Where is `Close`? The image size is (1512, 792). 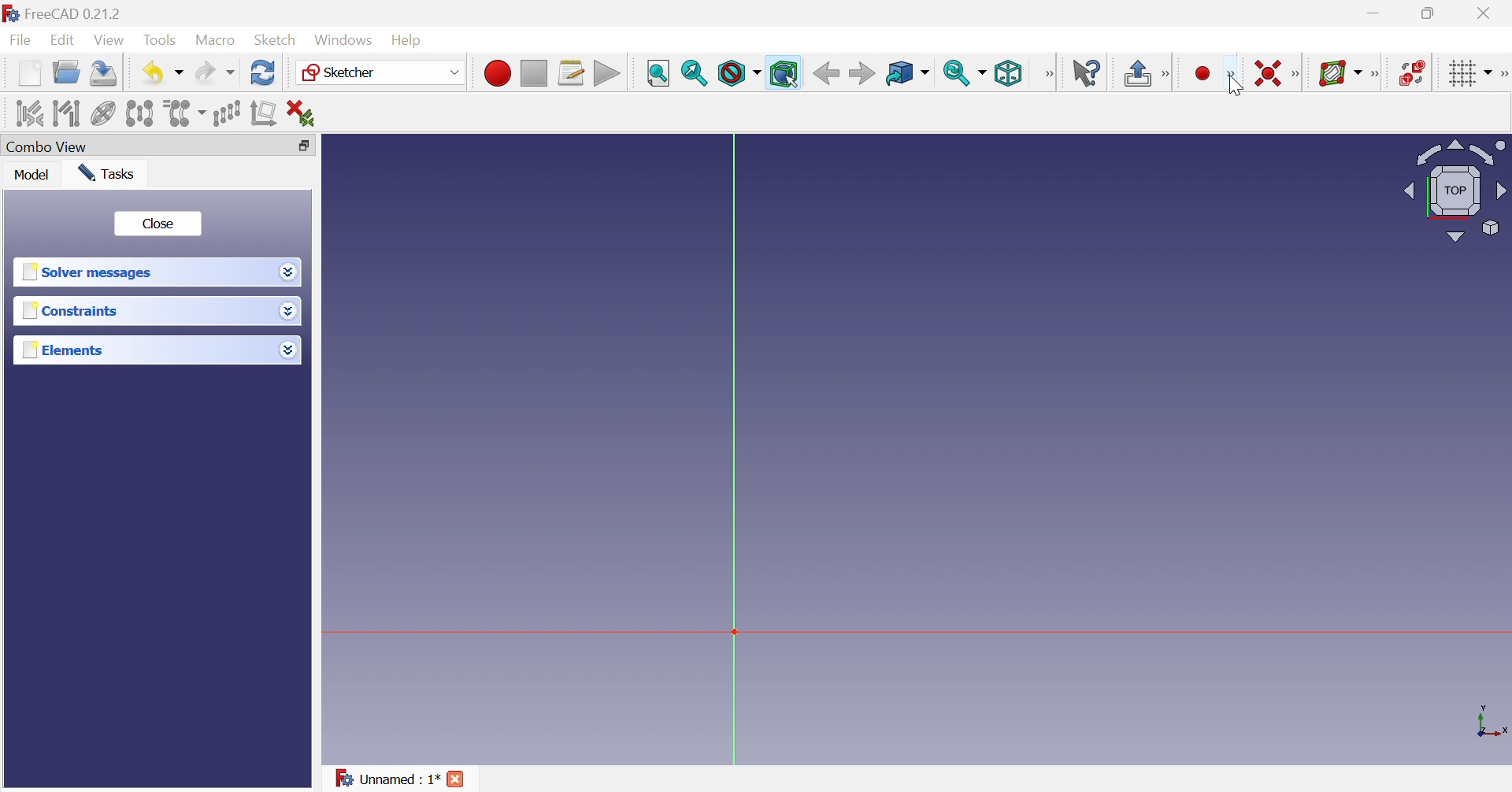
Close is located at coordinates (159, 224).